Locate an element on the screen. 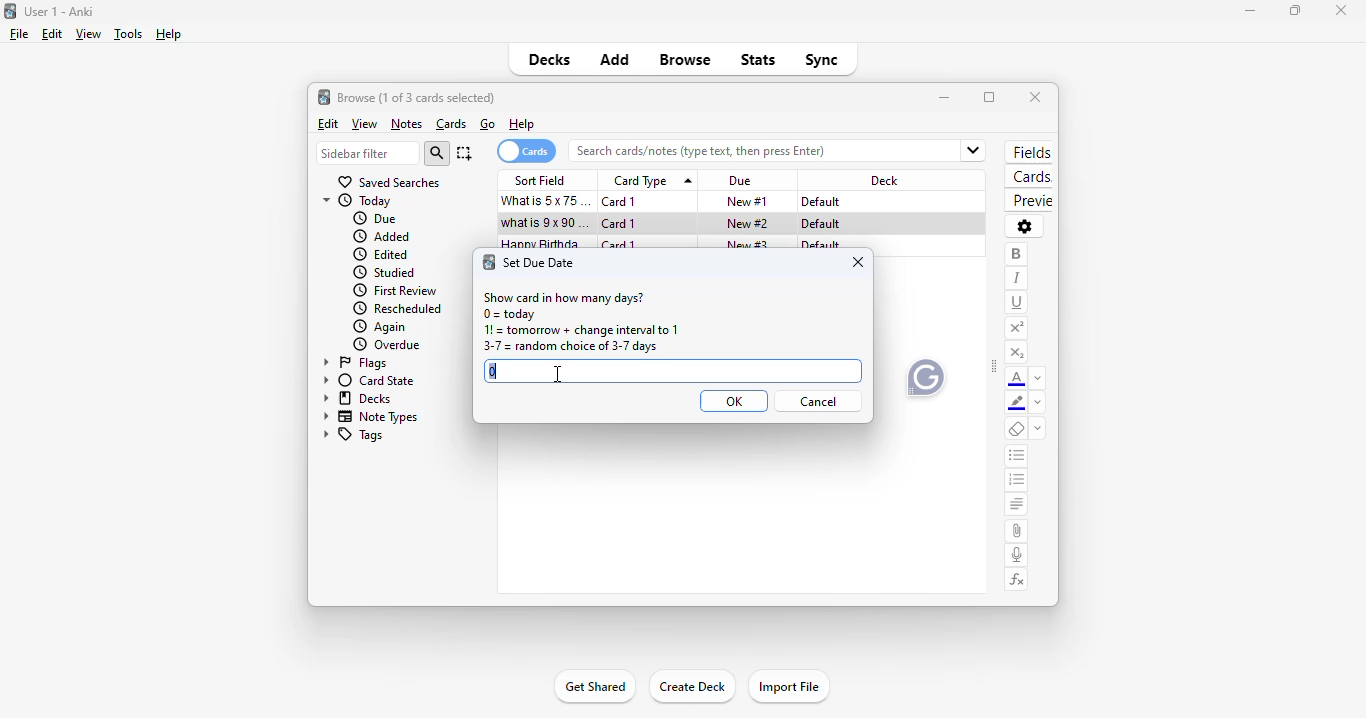 Image resolution: width=1366 pixels, height=718 pixels. close is located at coordinates (1343, 11).